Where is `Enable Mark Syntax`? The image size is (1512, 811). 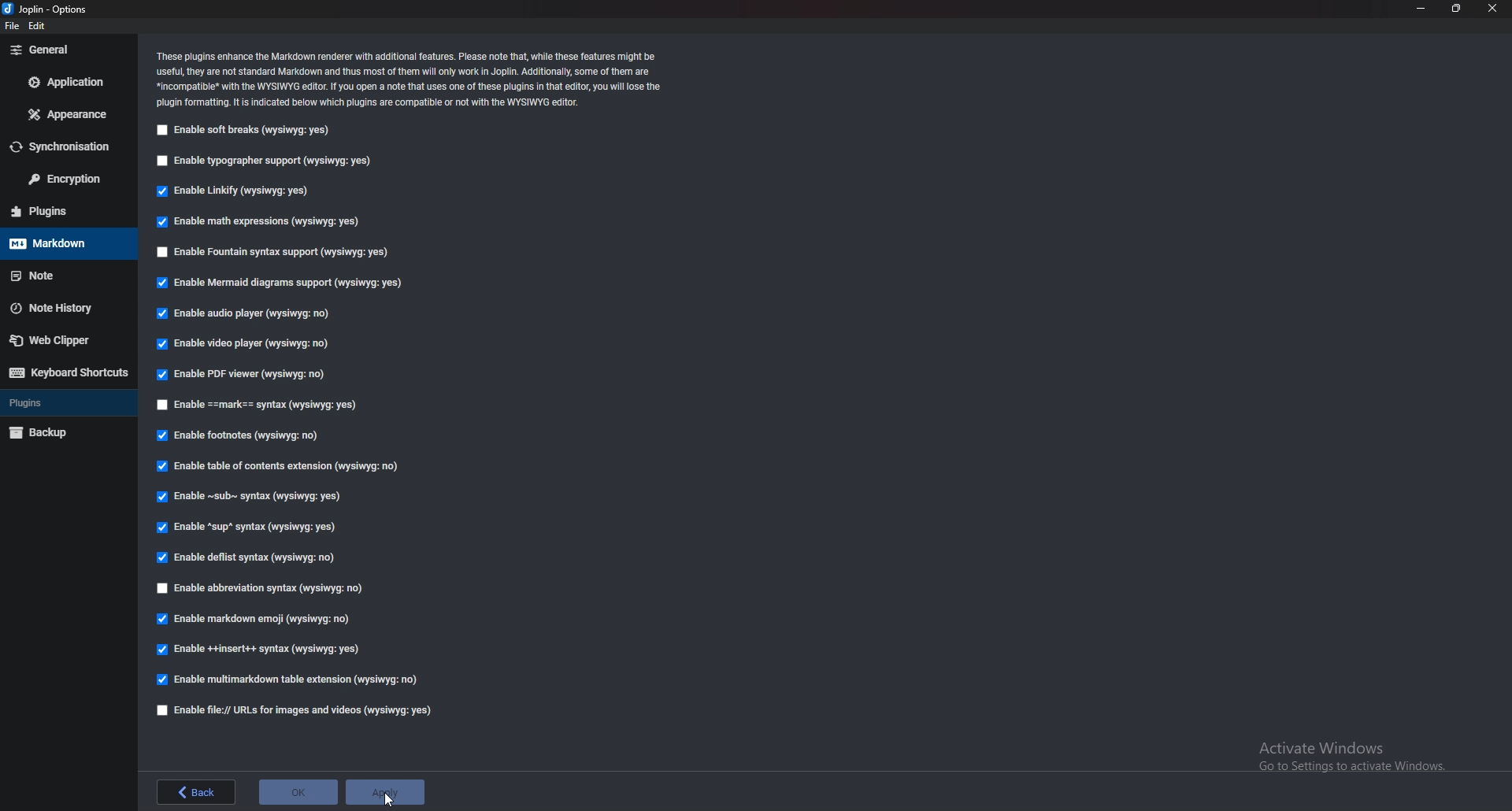
Enable Mark Syntax is located at coordinates (258, 405).